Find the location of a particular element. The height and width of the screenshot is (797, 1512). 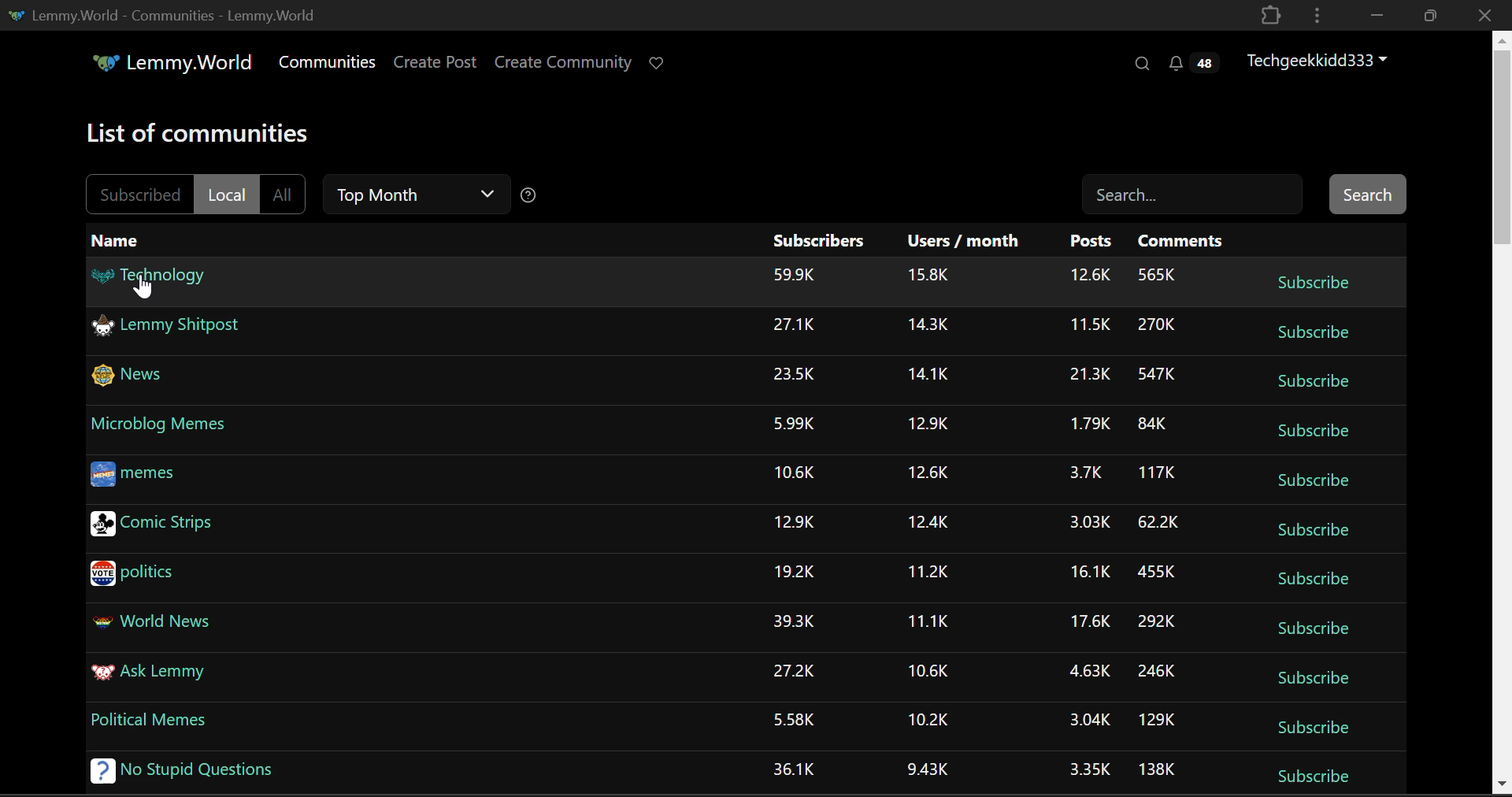

Subscribe is located at coordinates (1313, 432).